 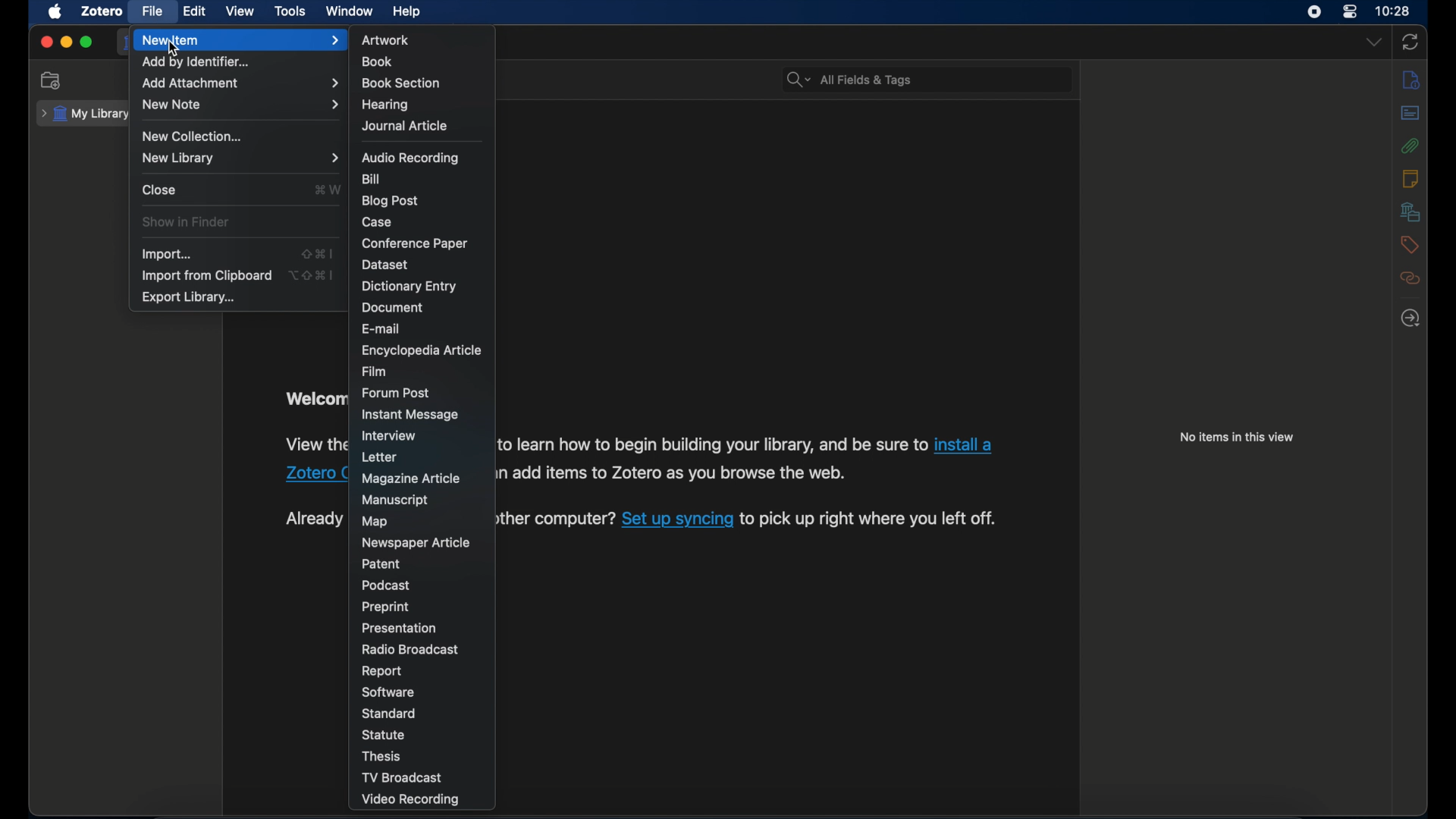 What do you see at coordinates (409, 800) in the screenshot?
I see `video recording` at bounding box center [409, 800].